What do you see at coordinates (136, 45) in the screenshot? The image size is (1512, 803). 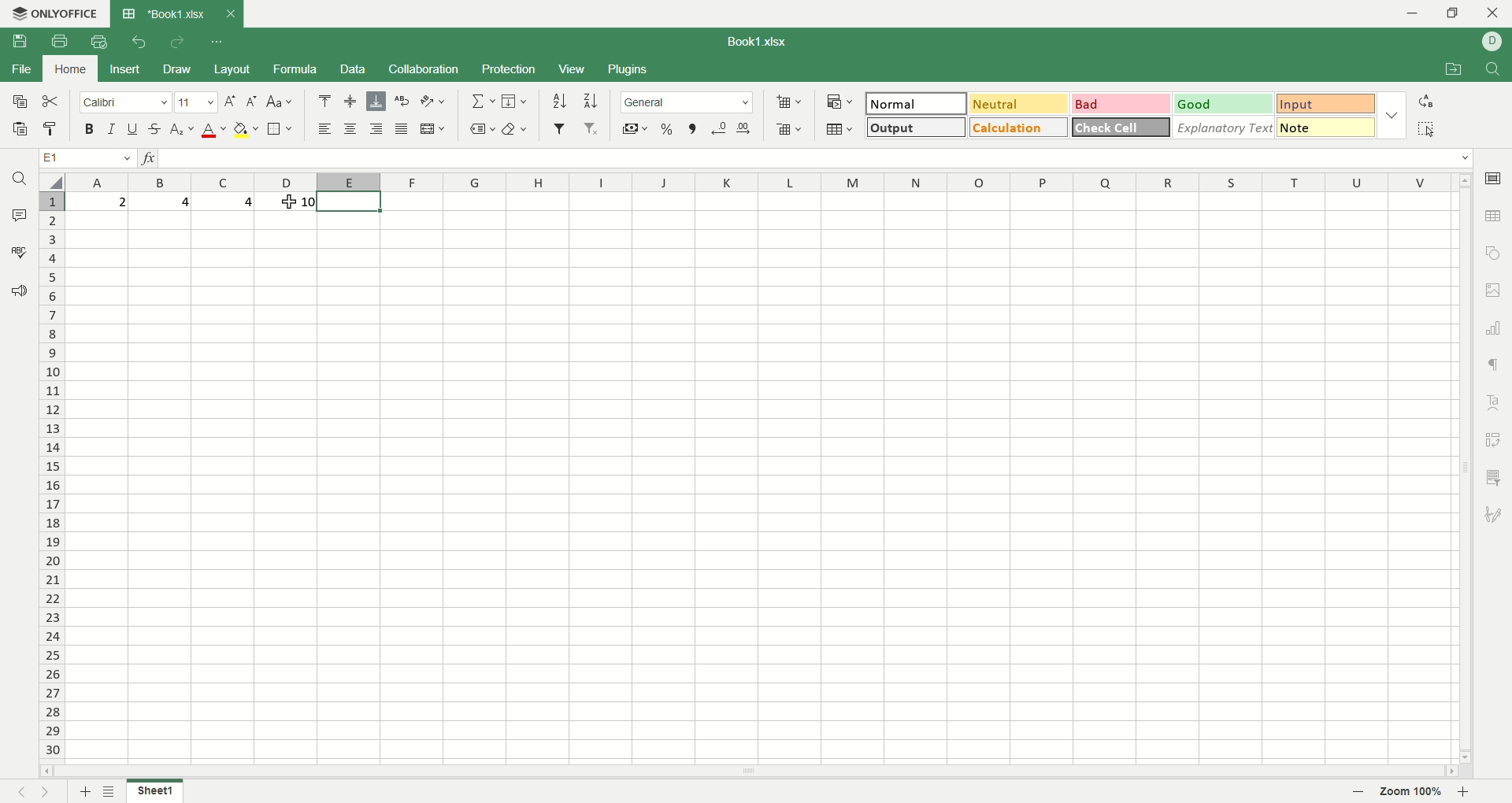 I see `undo` at bounding box center [136, 45].